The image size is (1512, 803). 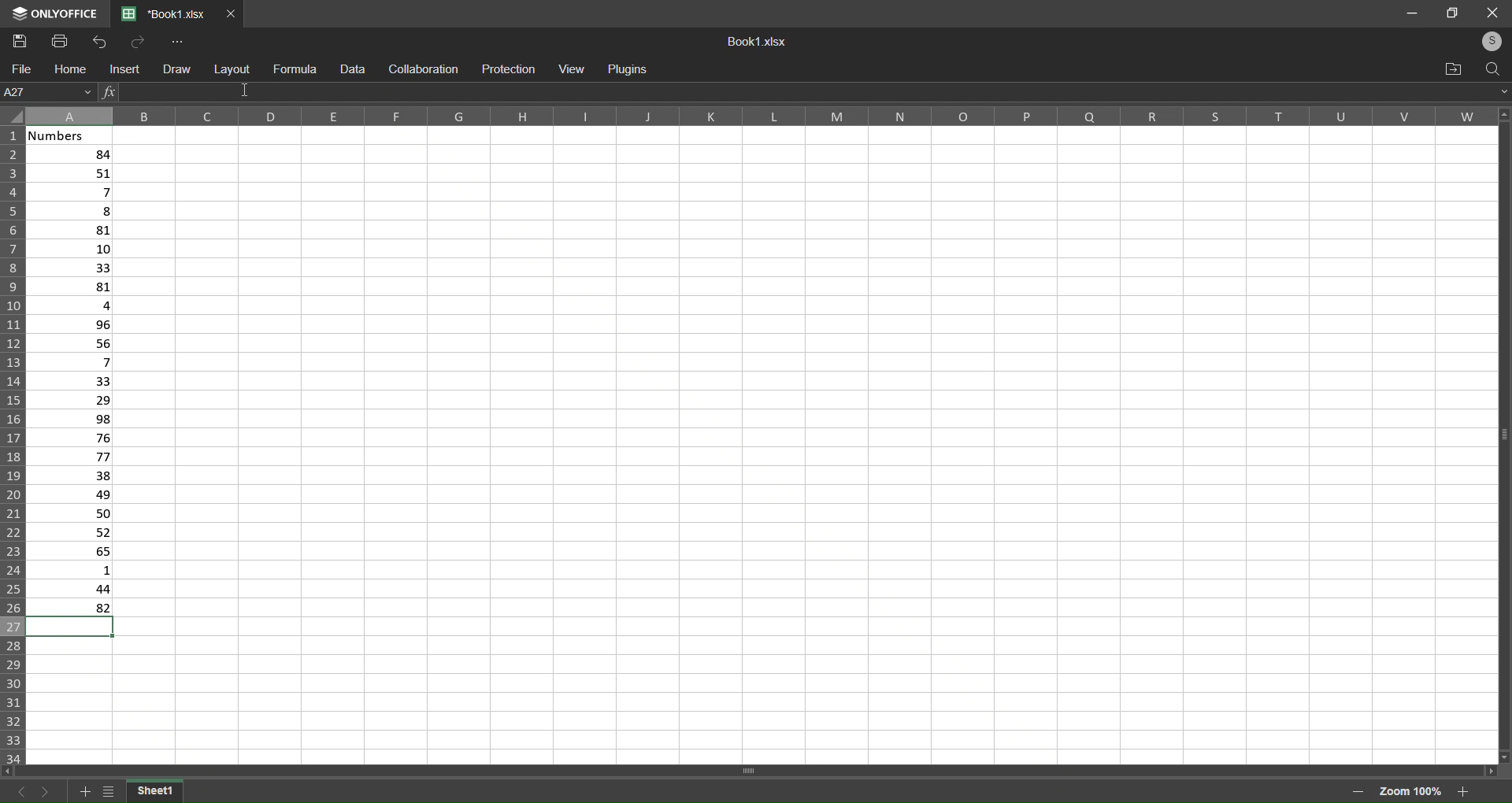 I want to click on Print, so click(x=58, y=42).